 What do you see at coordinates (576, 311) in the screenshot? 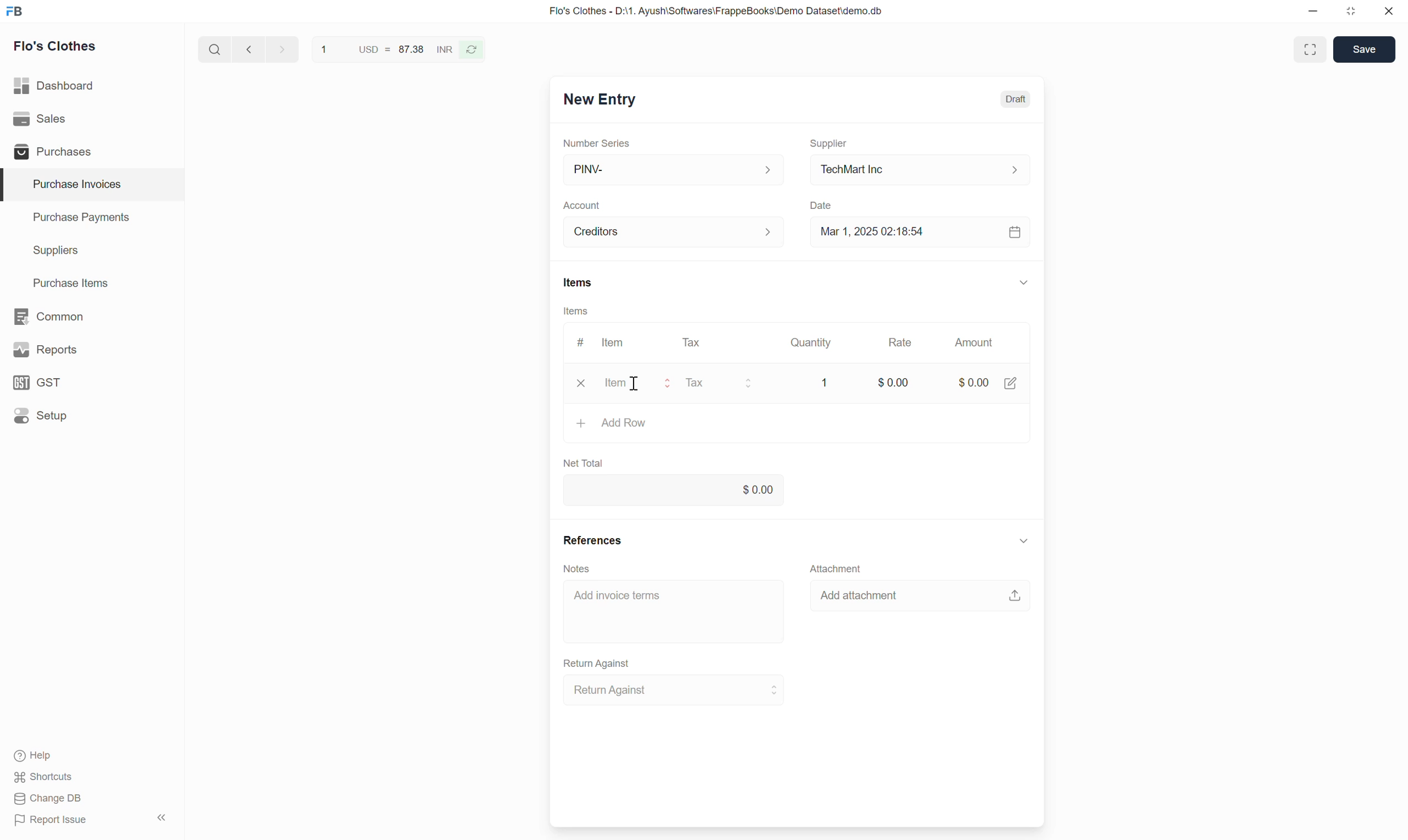
I see `Items` at bounding box center [576, 311].